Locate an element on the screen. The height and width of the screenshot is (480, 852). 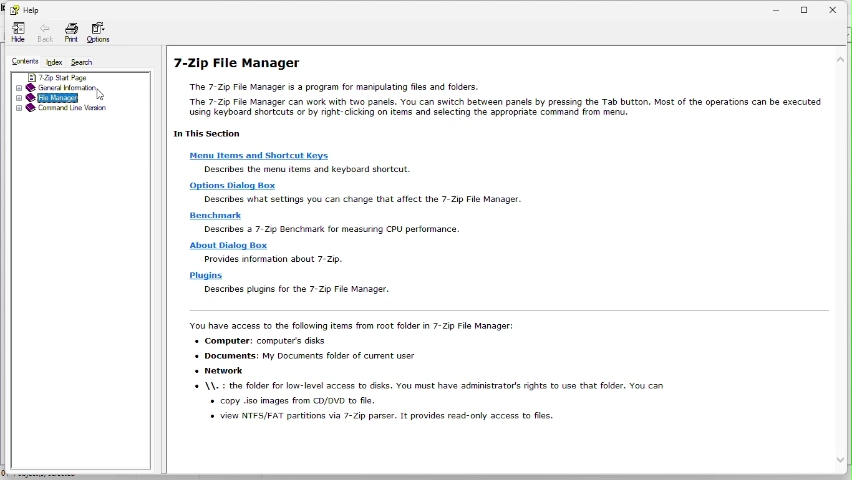
Options dialogue box is located at coordinates (233, 186).